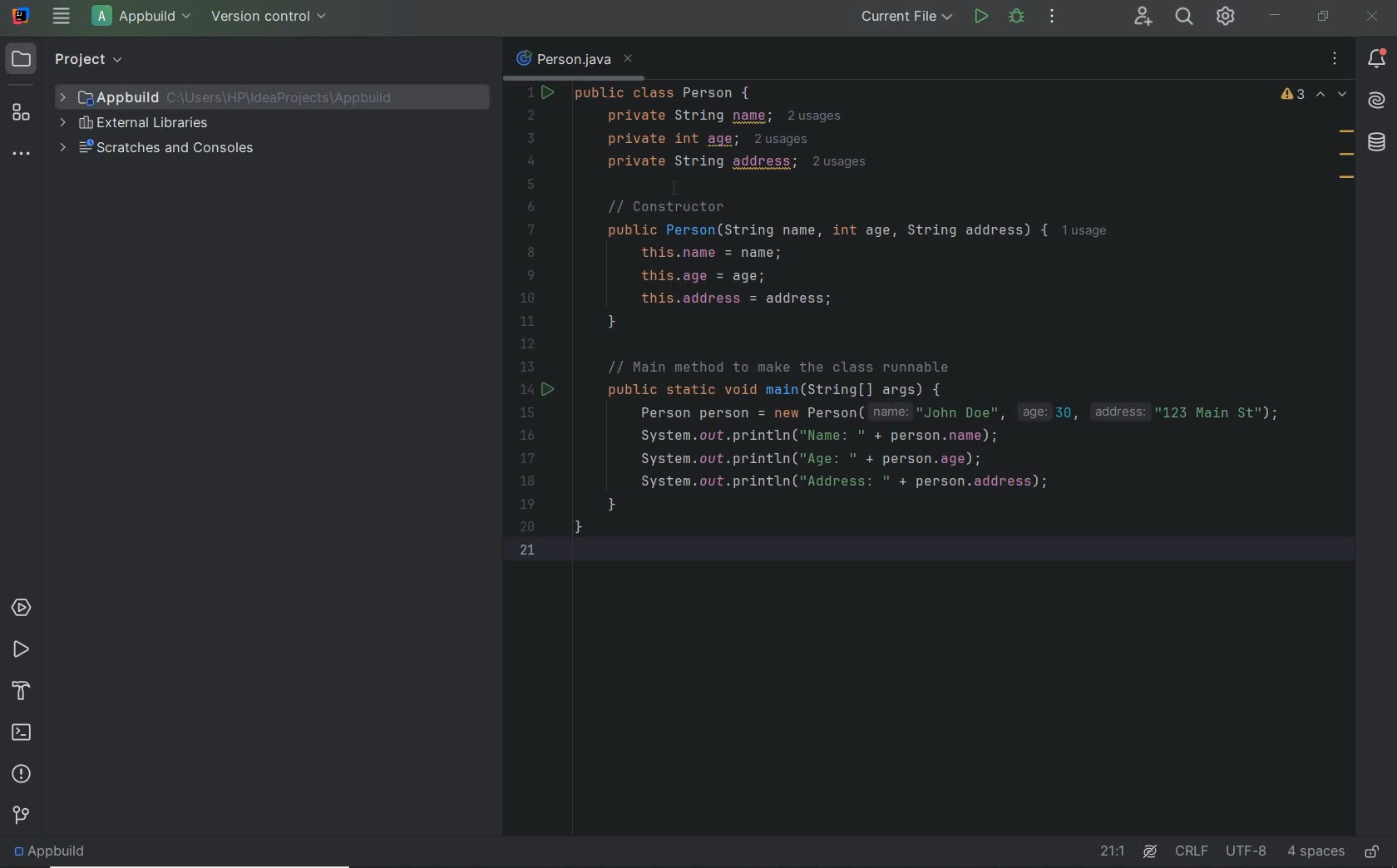  I want to click on database, so click(1380, 144).